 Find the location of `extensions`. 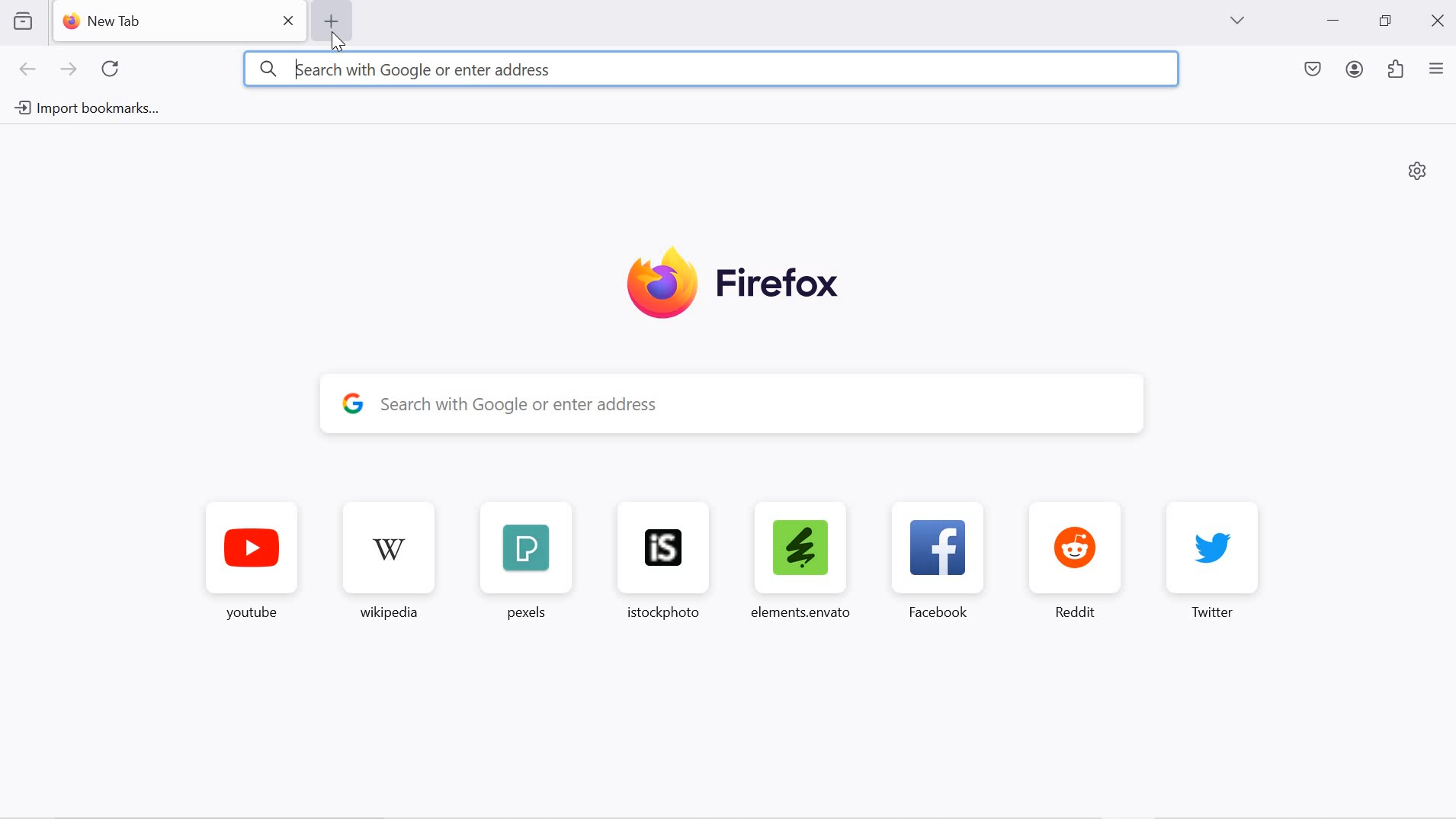

extensions is located at coordinates (1397, 71).